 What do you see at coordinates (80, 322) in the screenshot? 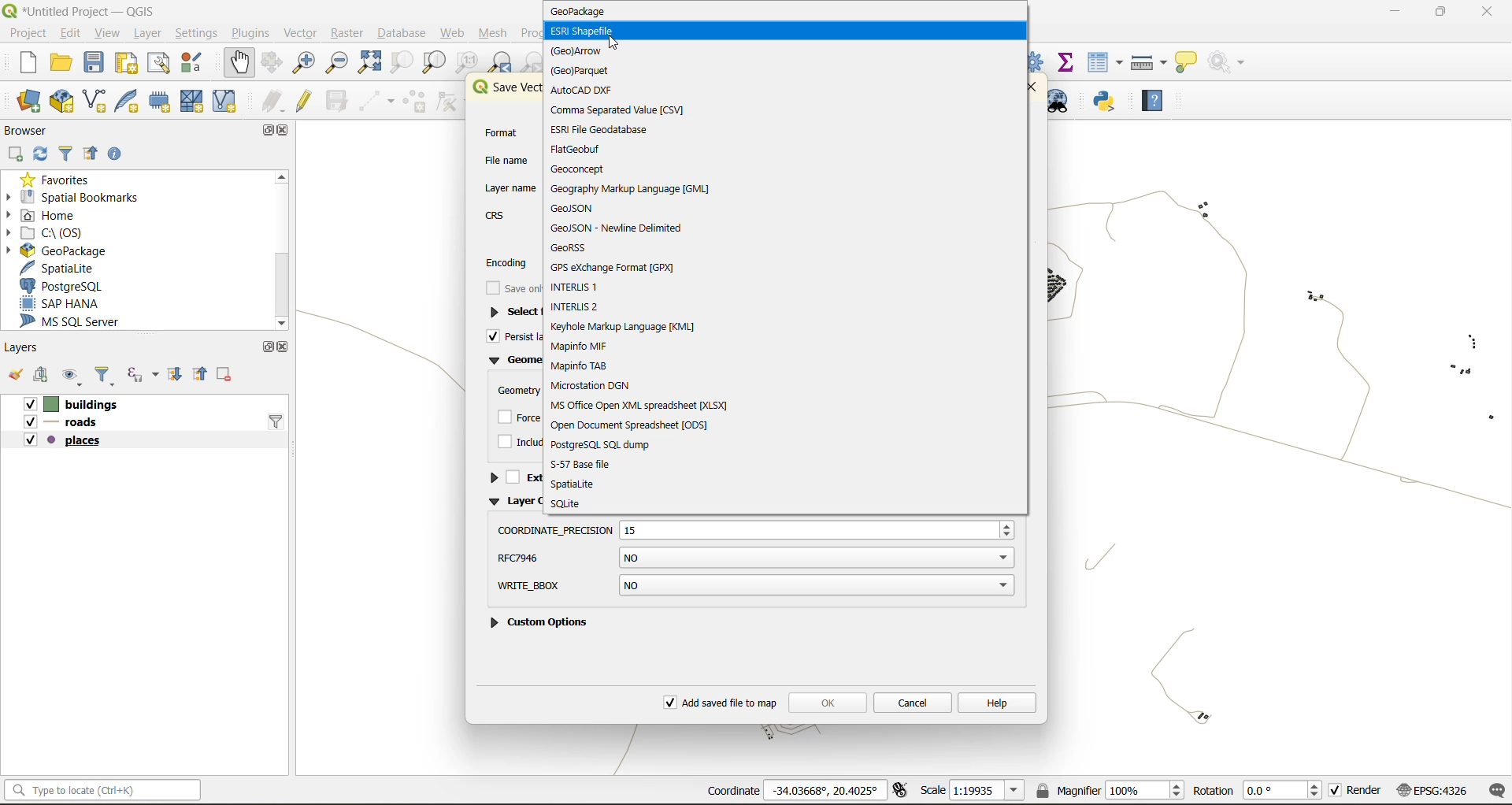
I see `ms sql server` at bounding box center [80, 322].